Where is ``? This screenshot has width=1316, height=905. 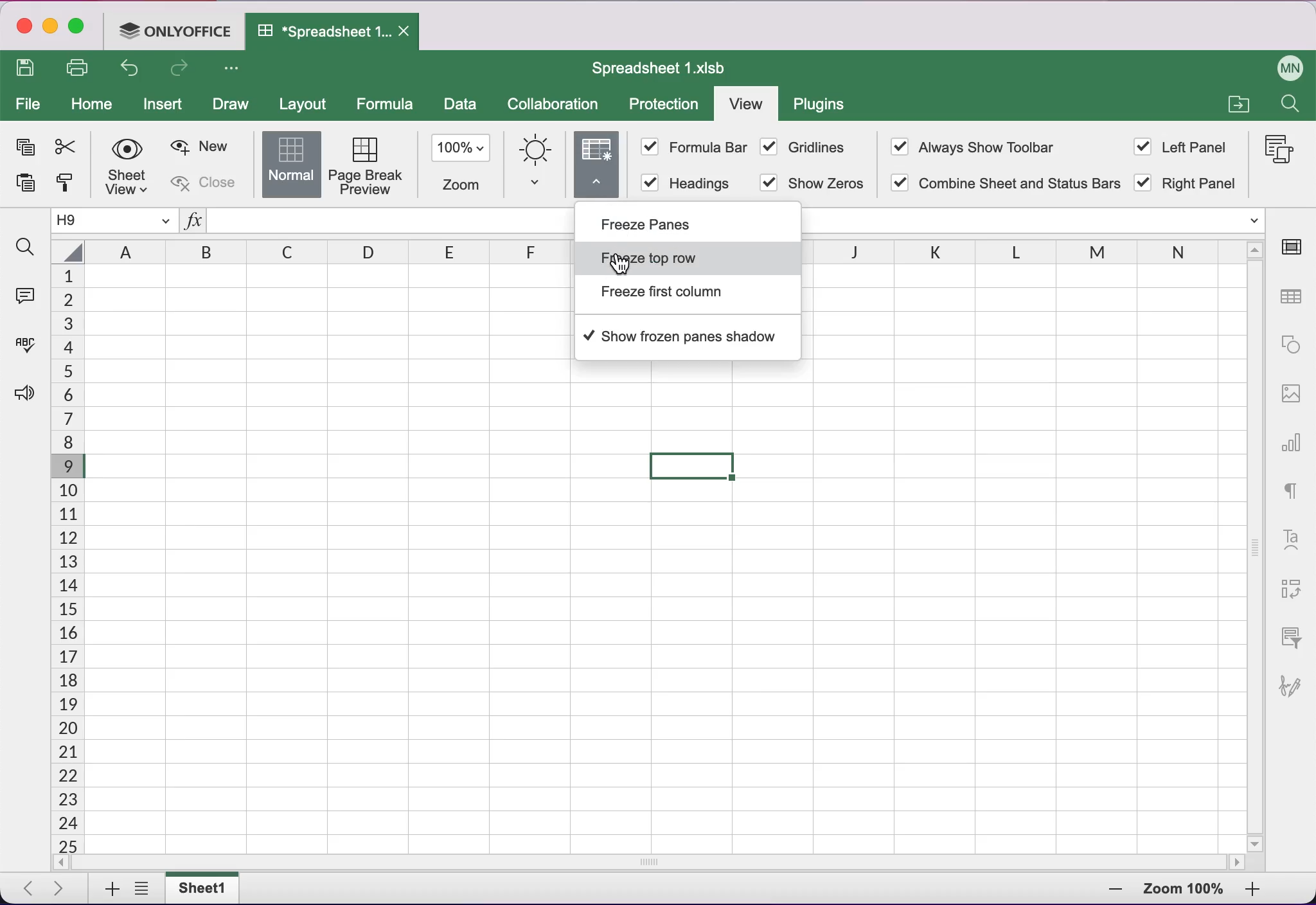  is located at coordinates (1288, 296).